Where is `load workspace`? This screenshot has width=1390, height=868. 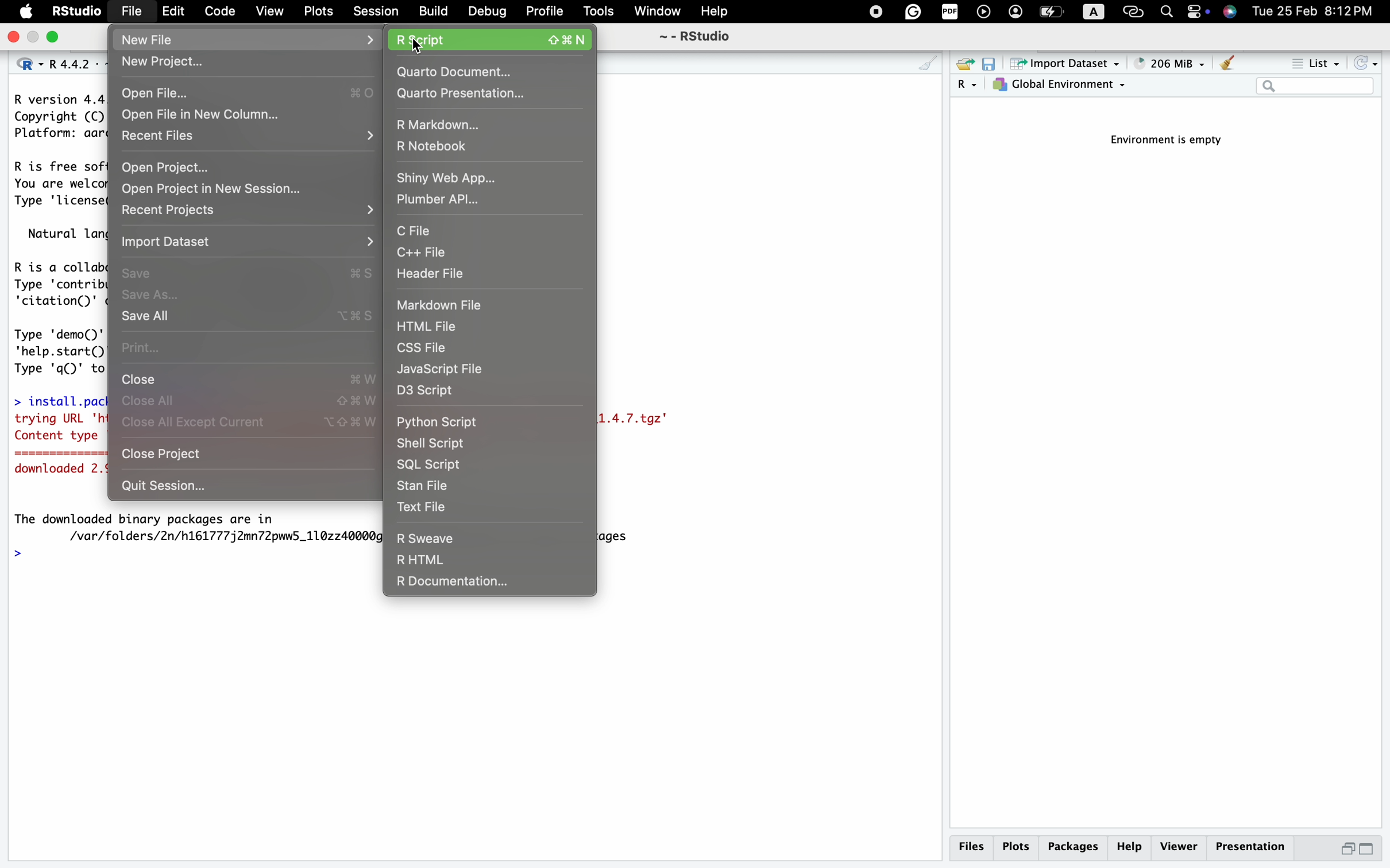
load workspace is located at coordinates (964, 65).